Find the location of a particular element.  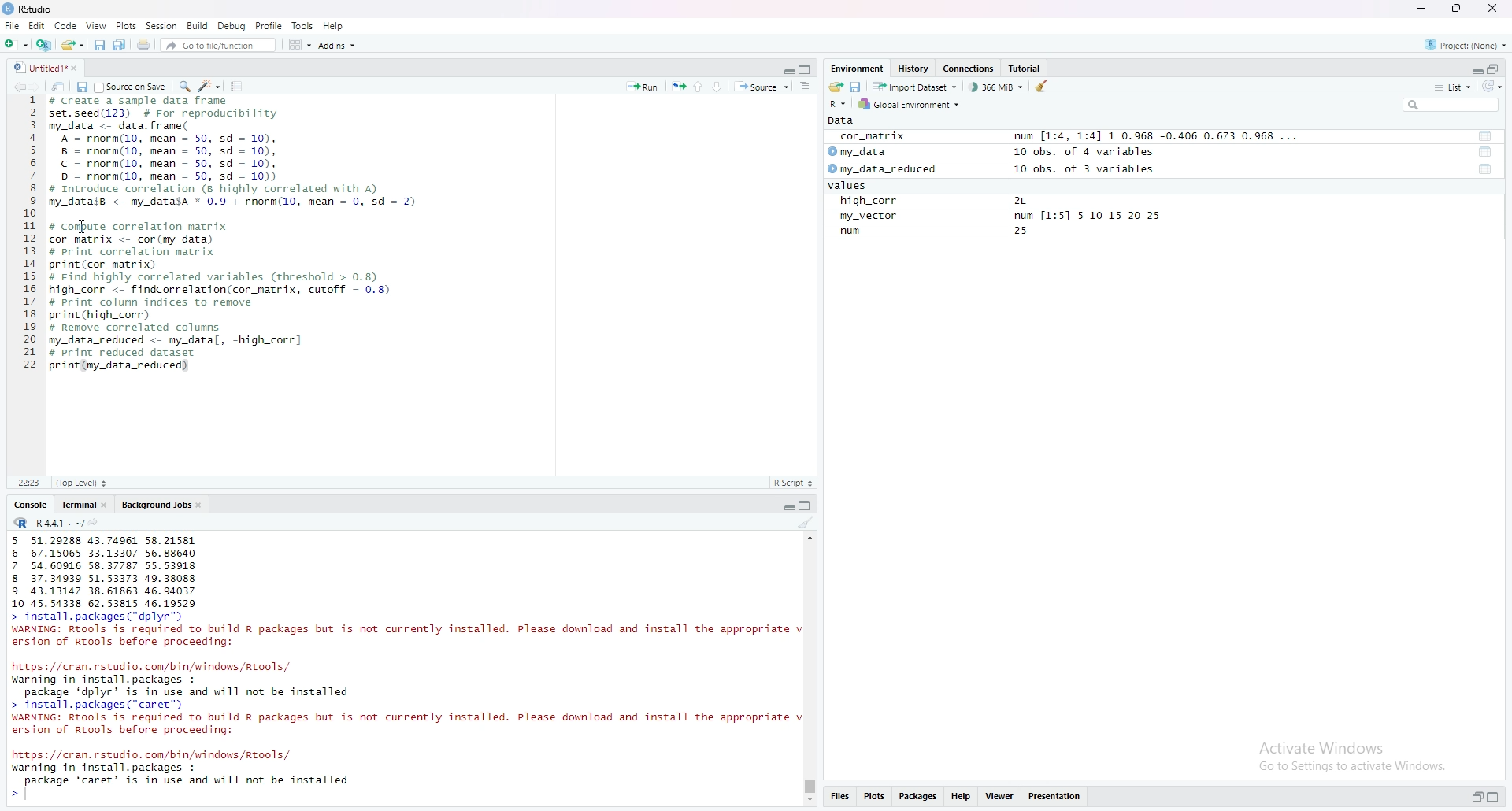

Addins is located at coordinates (339, 46).